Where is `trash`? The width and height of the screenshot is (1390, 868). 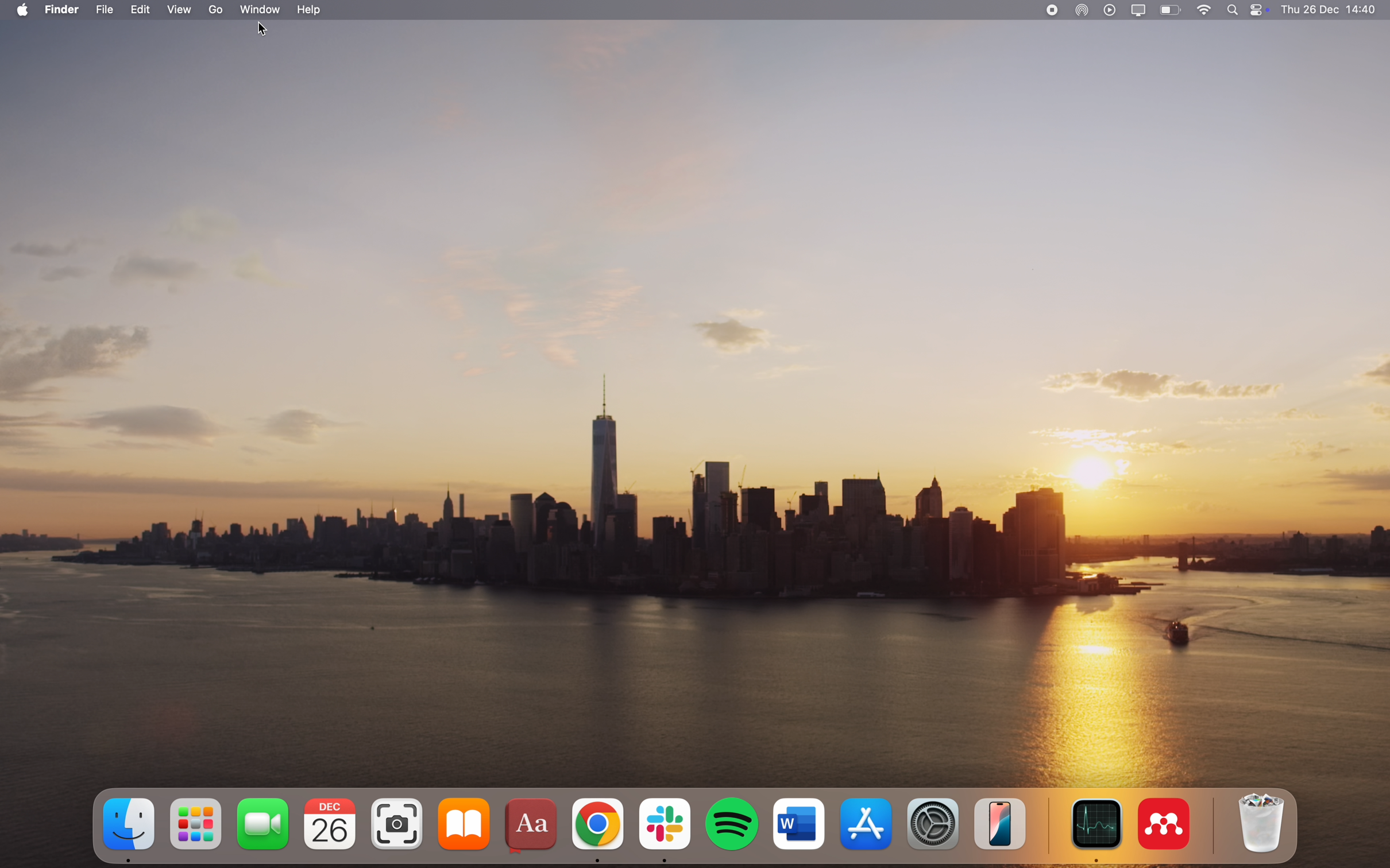 trash is located at coordinates (1259, 822).